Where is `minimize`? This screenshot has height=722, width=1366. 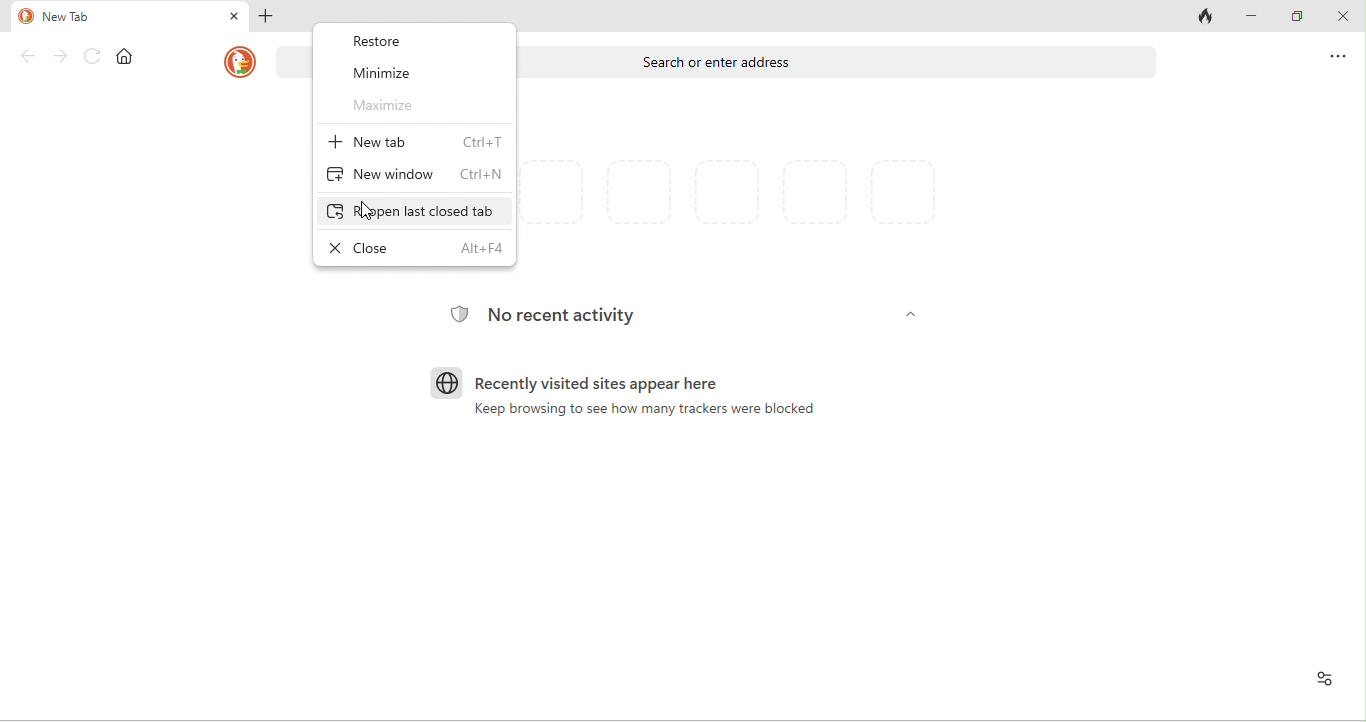
minimize is located at coordinates (389, 76).